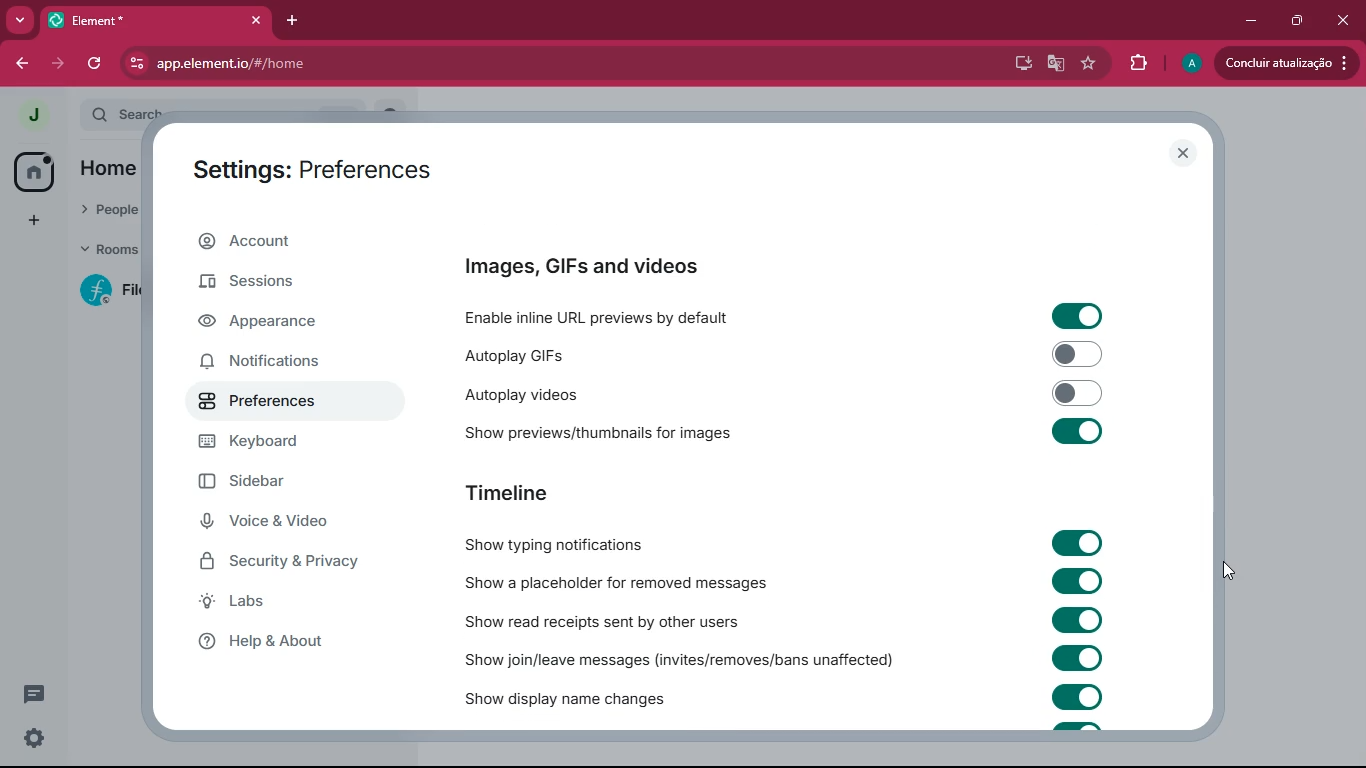 The image size is (1366, 768). Describe the element at coordinates (622, 580) in the screenshot. I see `show a placeholder for removed messages` at that location.